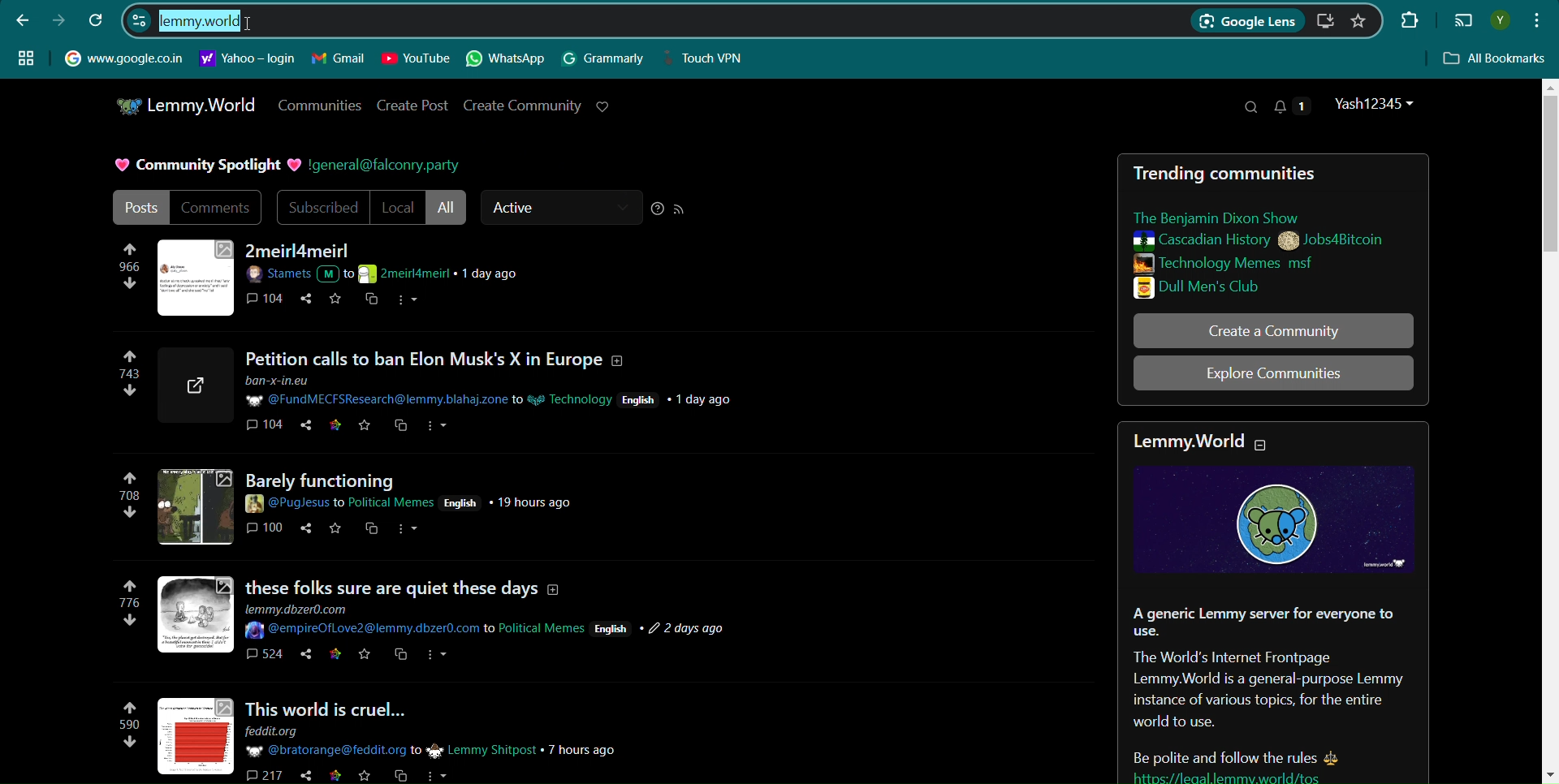 The width and height of the screenshot is (1559, 784). Describe the element at coordinates (490, 630) in the screenshot. I see `DempireOfLove2@lemmy.dbzer0.com to Political Memes English + 2 2 days ago` at that location.